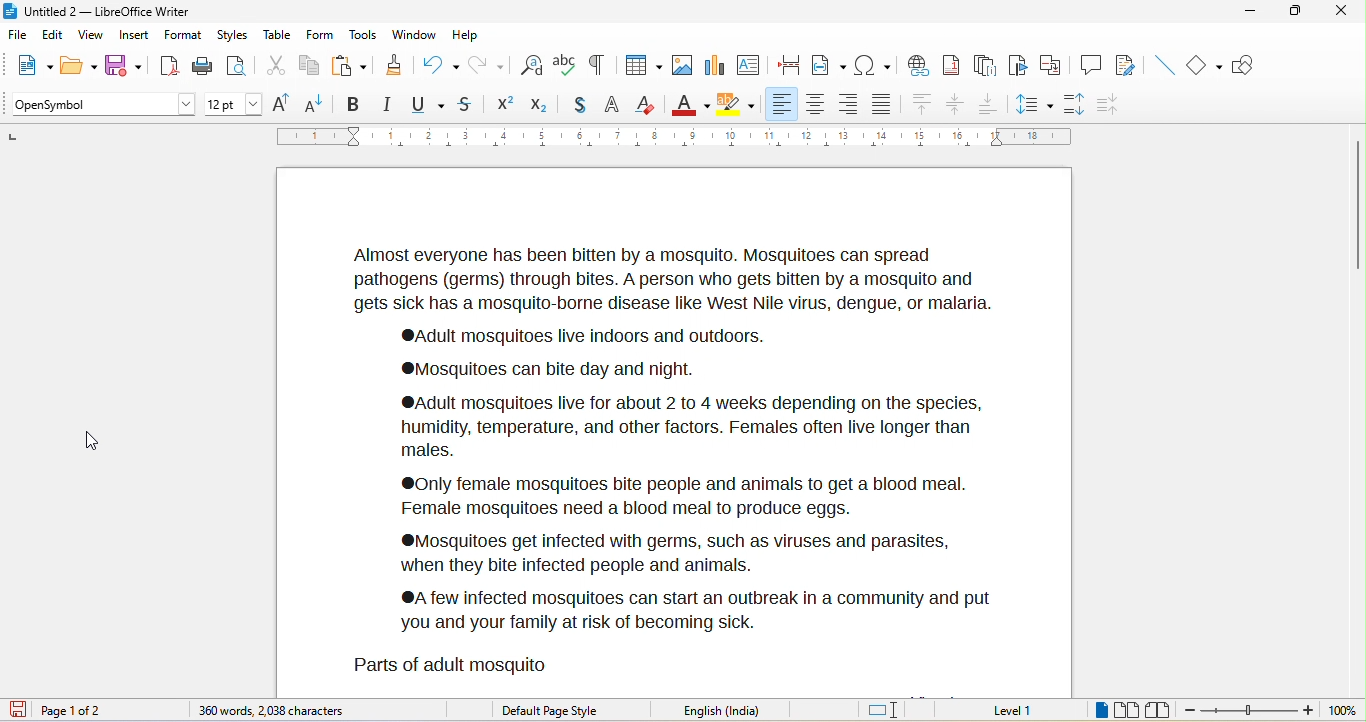 This screenshot has height=722, width=1366. I want to click on font name, so click(99, 105).